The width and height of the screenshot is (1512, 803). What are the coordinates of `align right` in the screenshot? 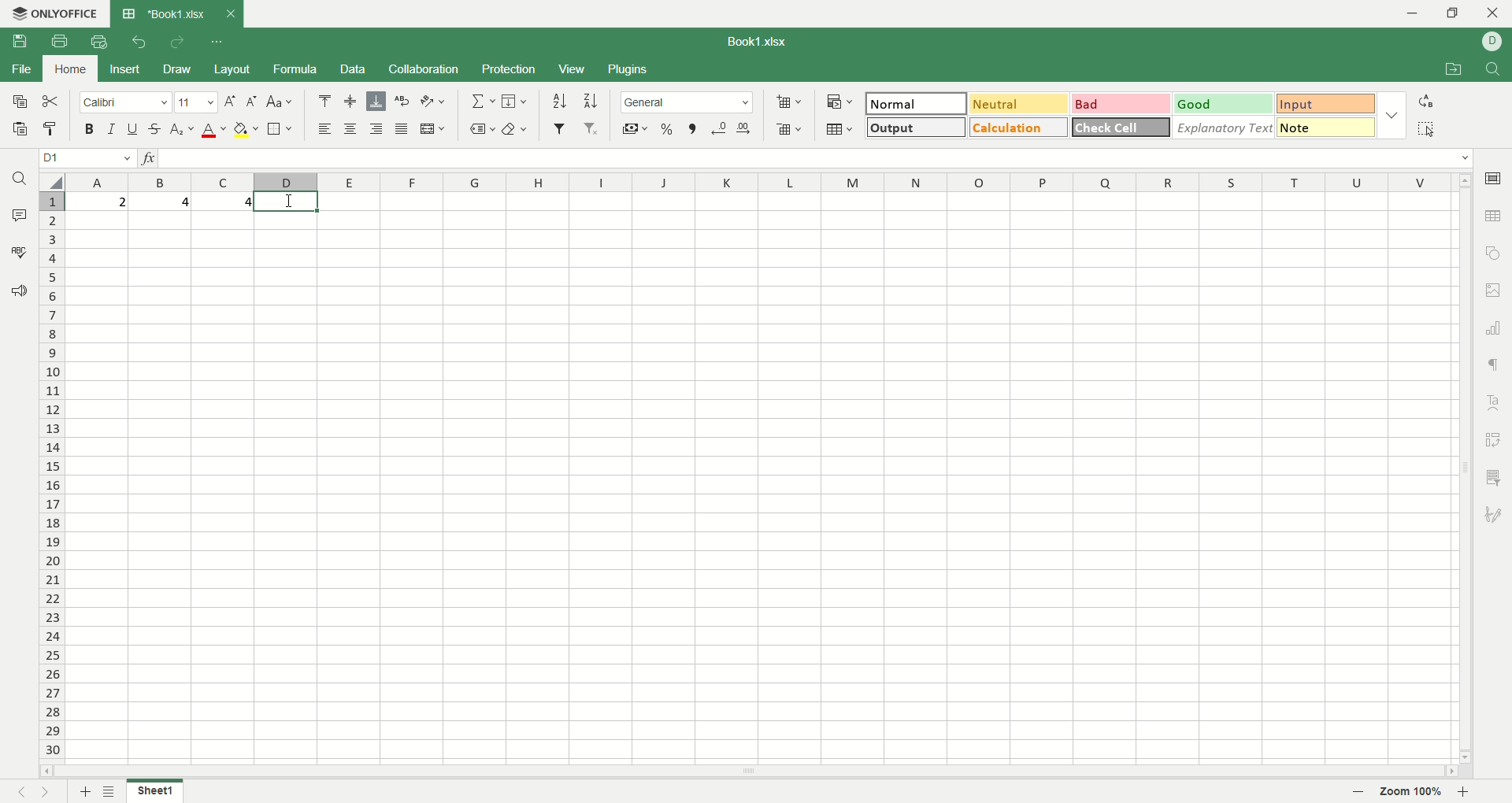 It's located at (379, 129).